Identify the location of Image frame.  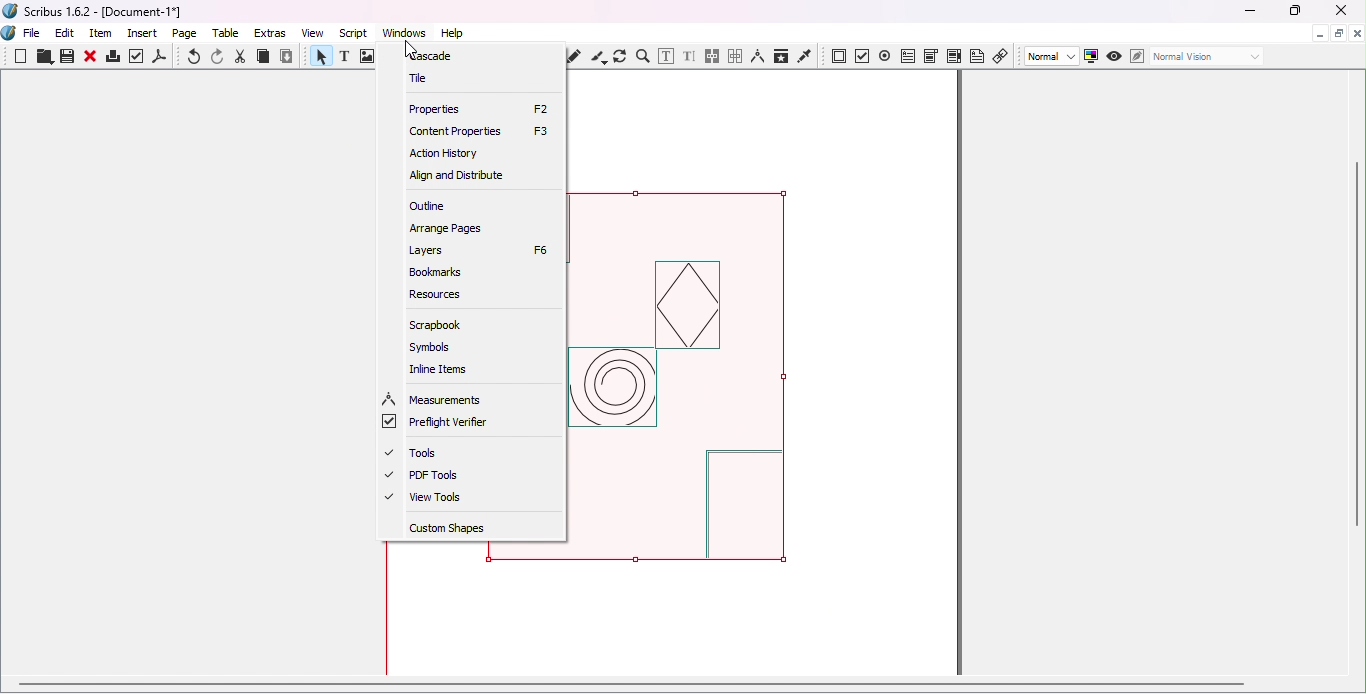
(369, 58).